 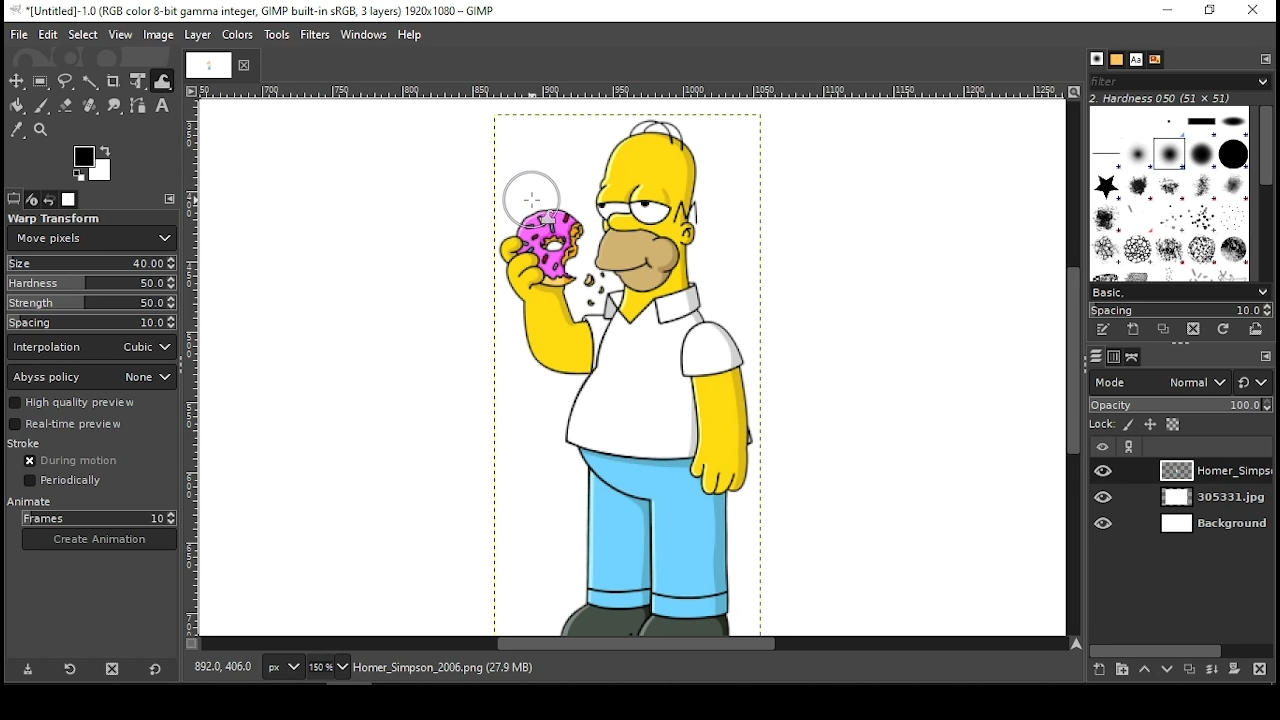 I want to click on scroll bar, so click(x=636, y=644).